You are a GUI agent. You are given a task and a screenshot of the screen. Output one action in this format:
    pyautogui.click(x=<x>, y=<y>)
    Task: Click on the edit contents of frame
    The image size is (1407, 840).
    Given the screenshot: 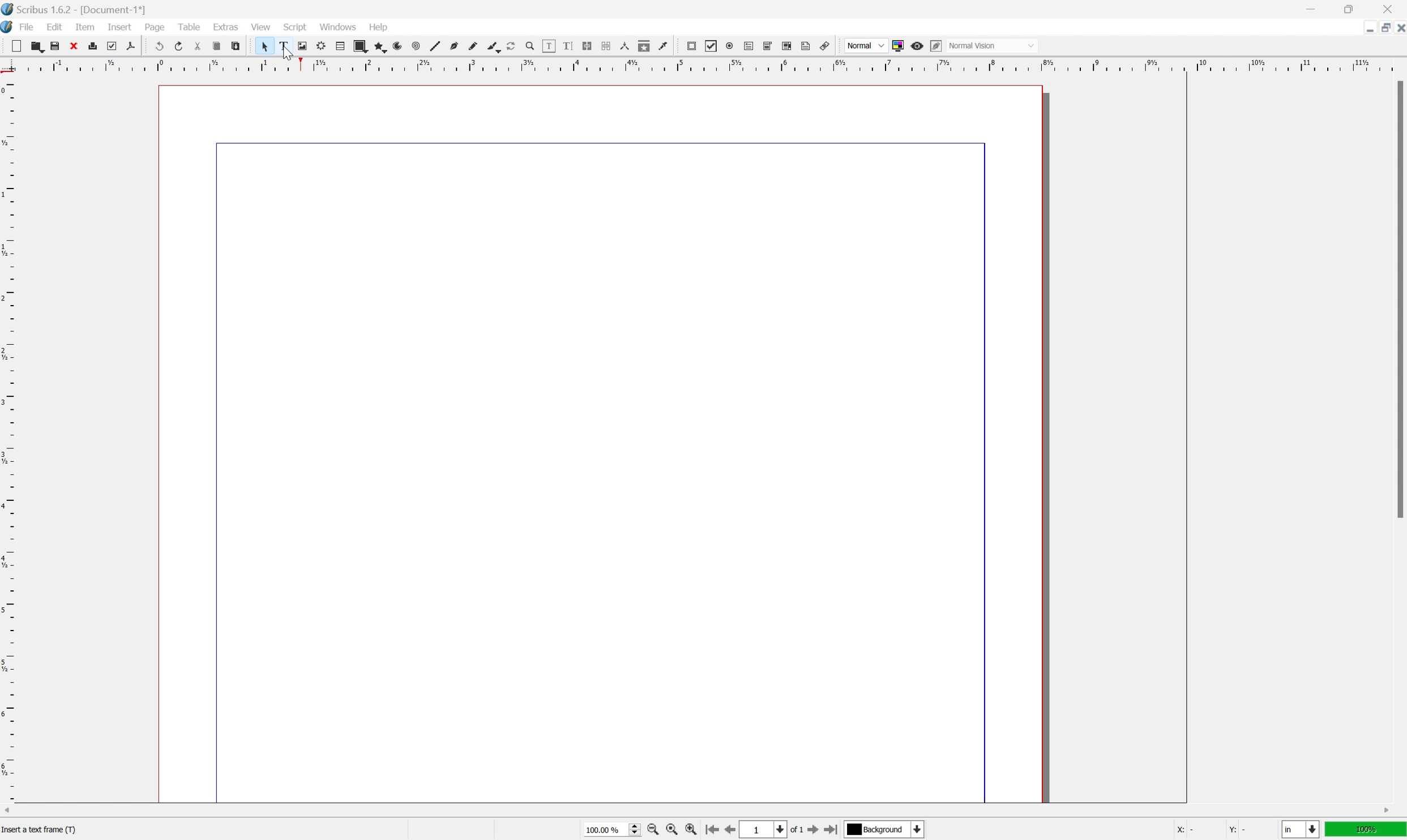 What is the action you would take?
    pyautogui.click(x=548, y=45)
    